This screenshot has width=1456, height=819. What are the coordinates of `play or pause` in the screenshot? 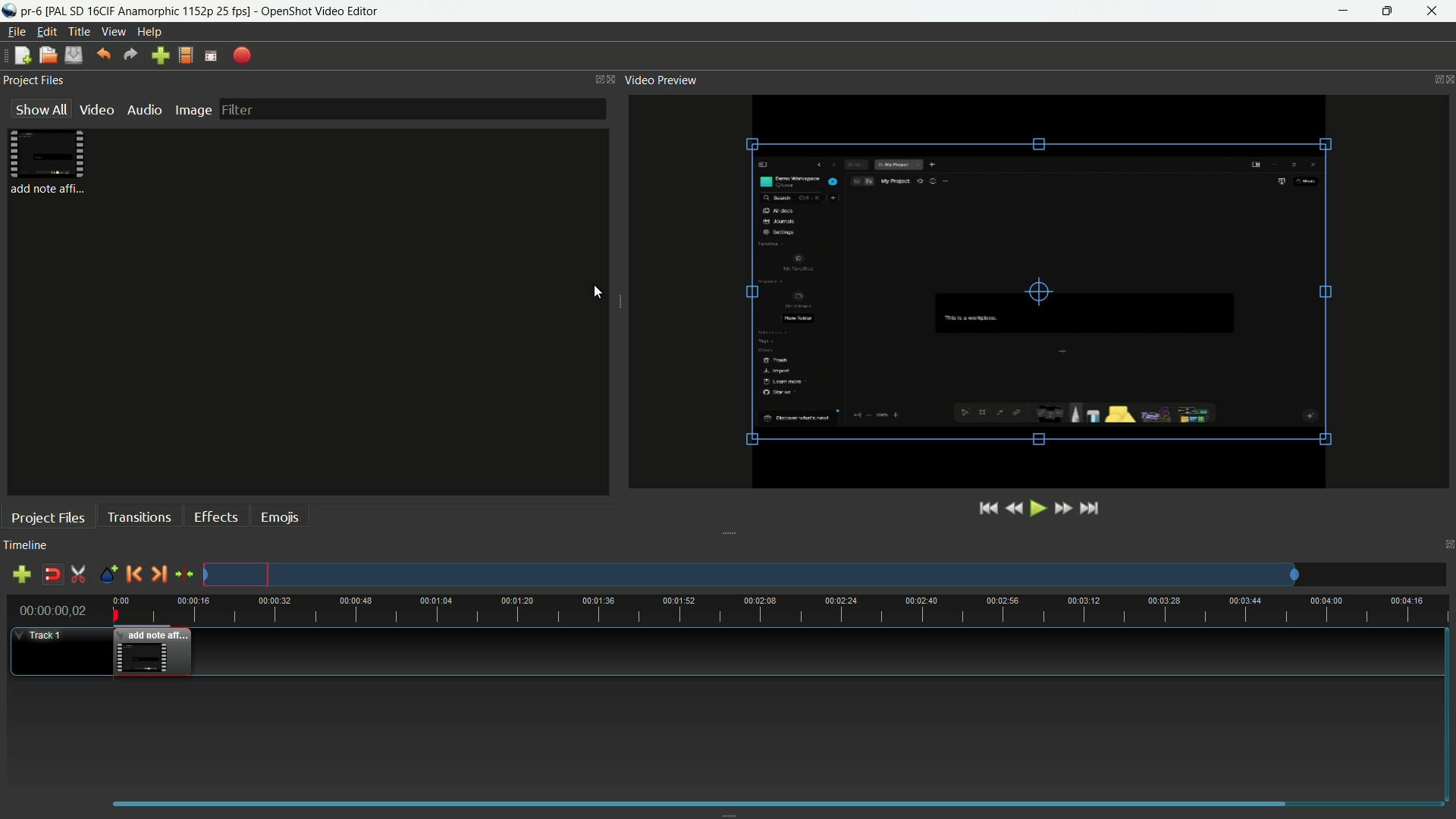 It's located at (1040, 508).